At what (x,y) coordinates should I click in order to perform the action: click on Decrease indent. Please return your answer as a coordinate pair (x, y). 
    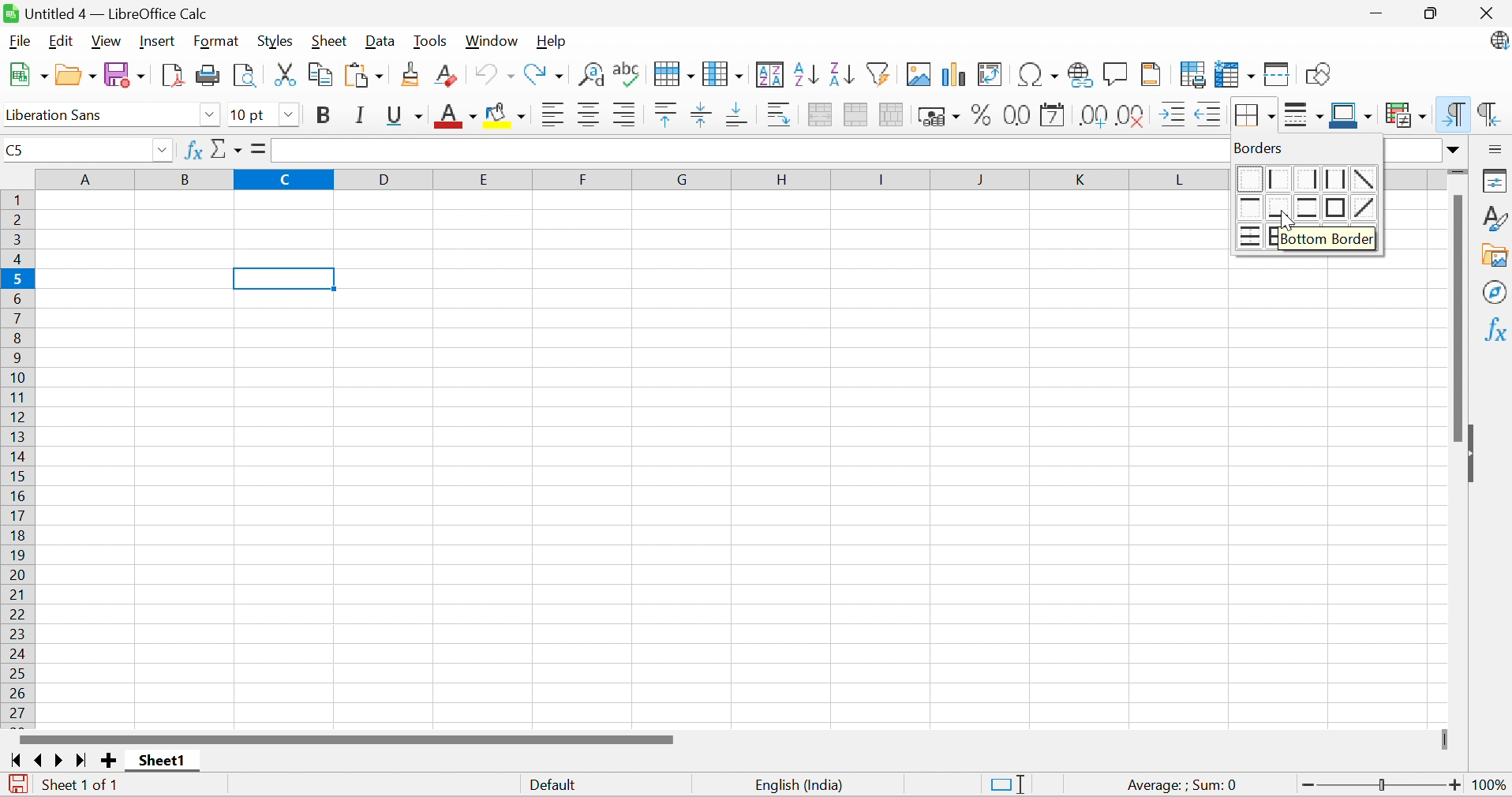
    Looking at the image, I should click on (1207, 117).